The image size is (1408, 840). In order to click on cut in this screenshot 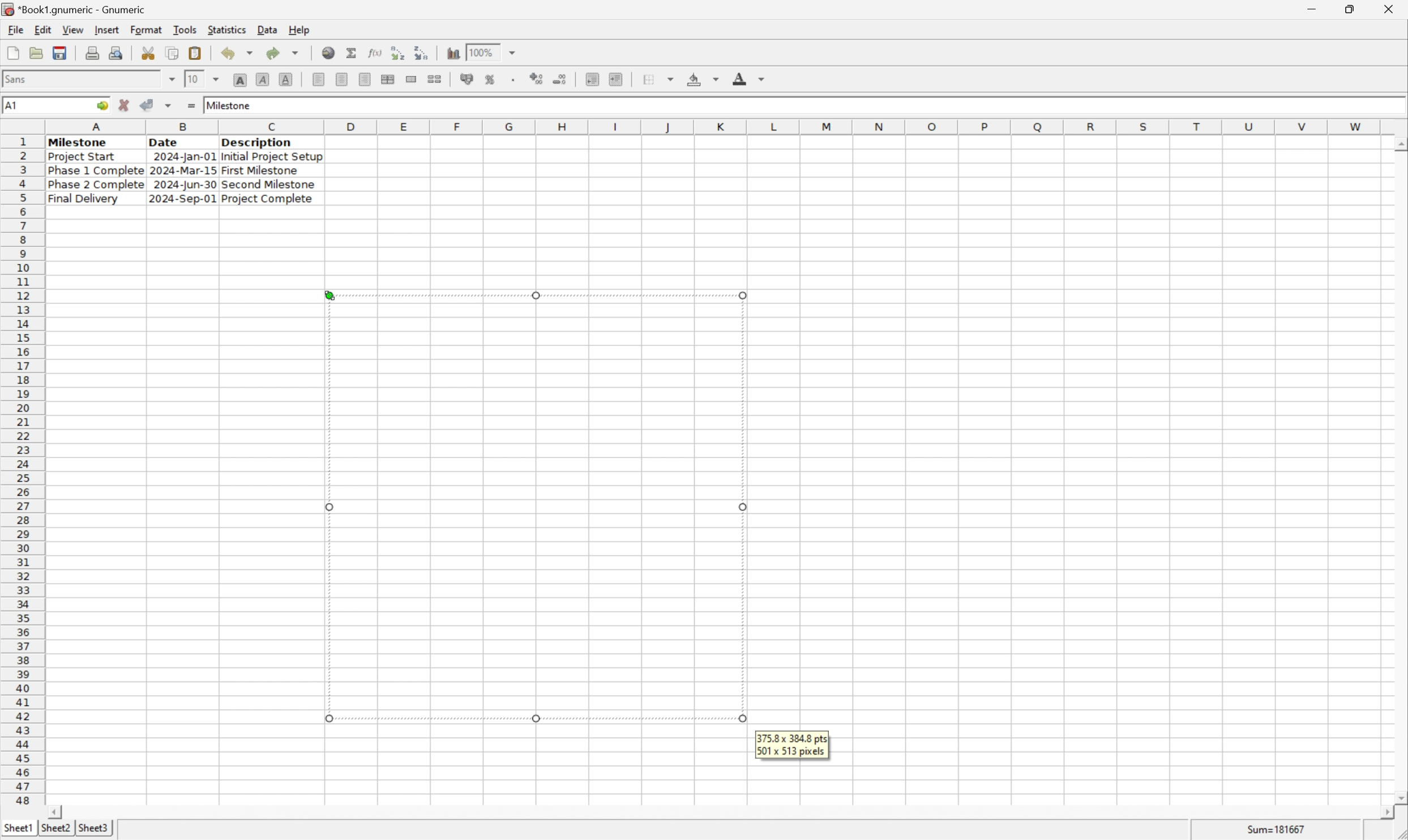, I will do `click(149, 53)`.